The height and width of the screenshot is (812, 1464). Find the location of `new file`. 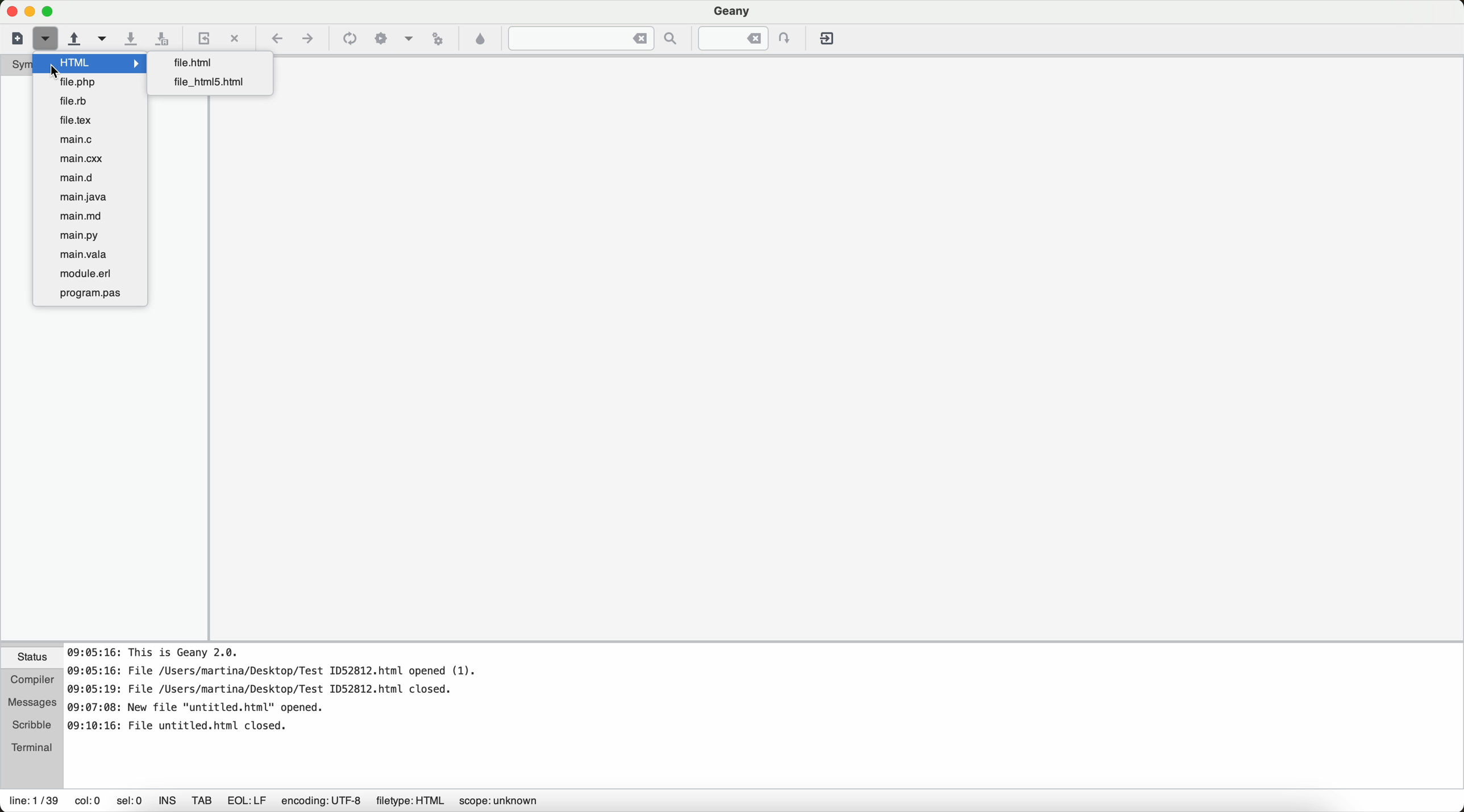

new file is located at coordinates (15, 38).